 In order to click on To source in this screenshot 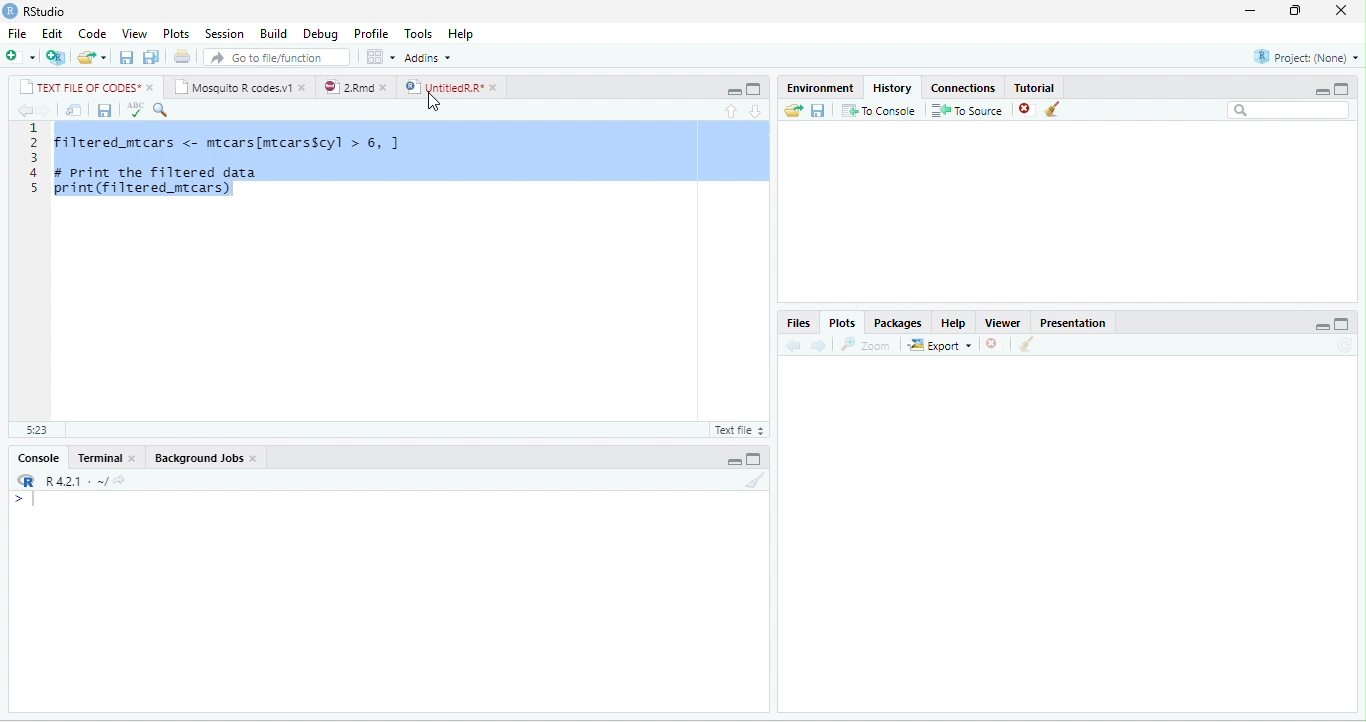, I will do `click(965, 110)`.